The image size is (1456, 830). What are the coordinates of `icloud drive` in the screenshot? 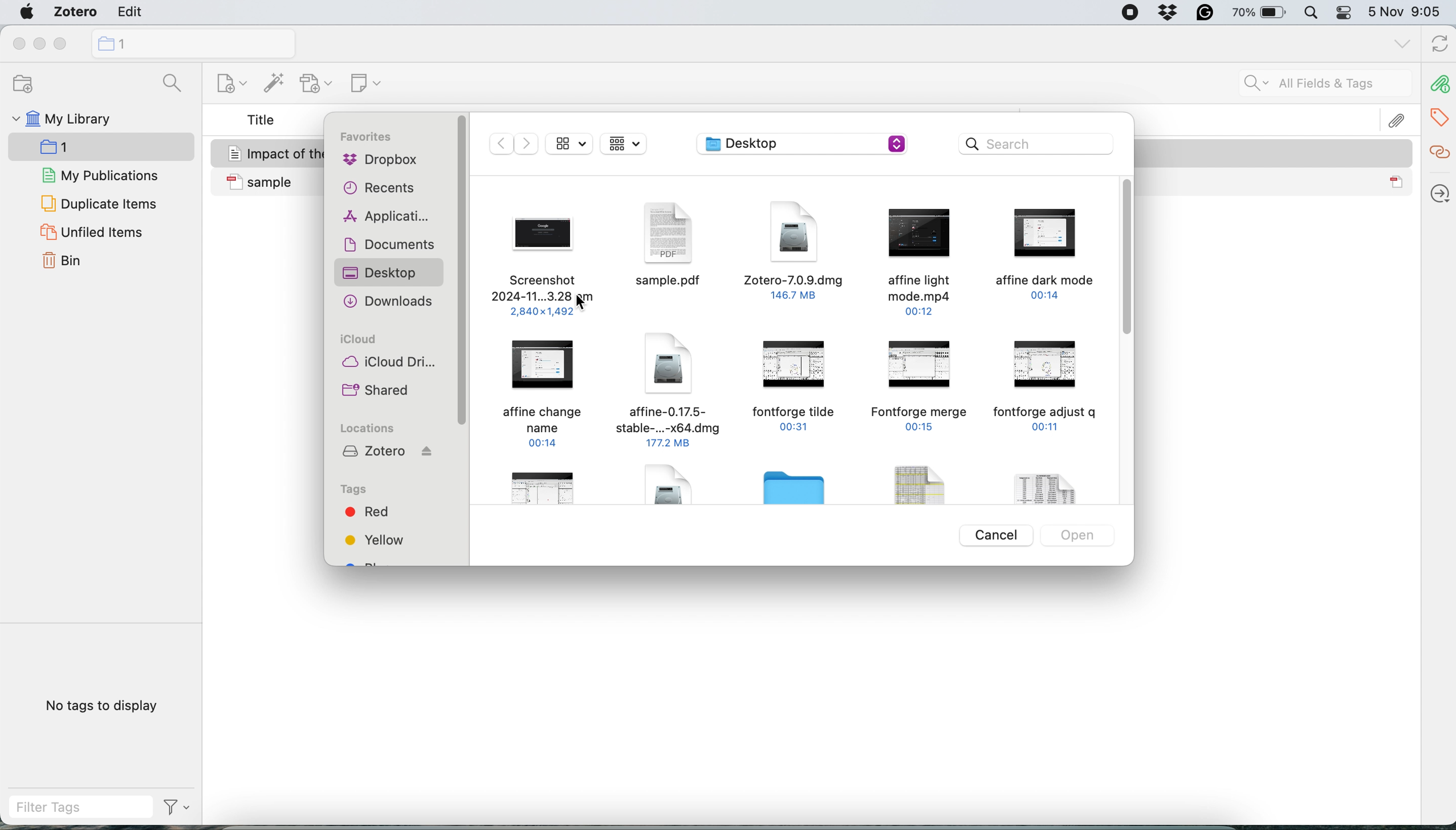 It's located at (389, 364).